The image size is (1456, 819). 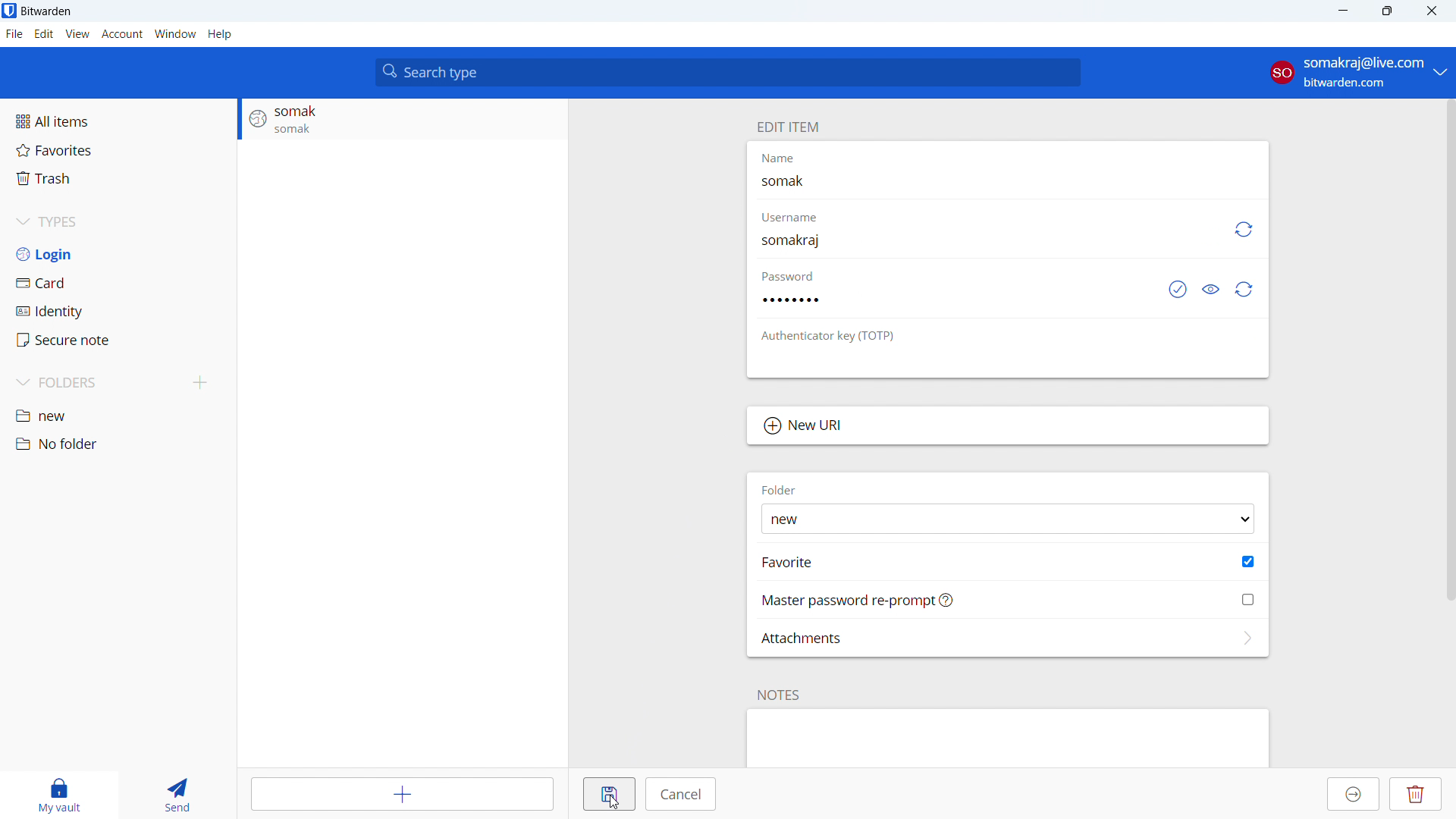 I want to click on file, so click(x=14, y=34).